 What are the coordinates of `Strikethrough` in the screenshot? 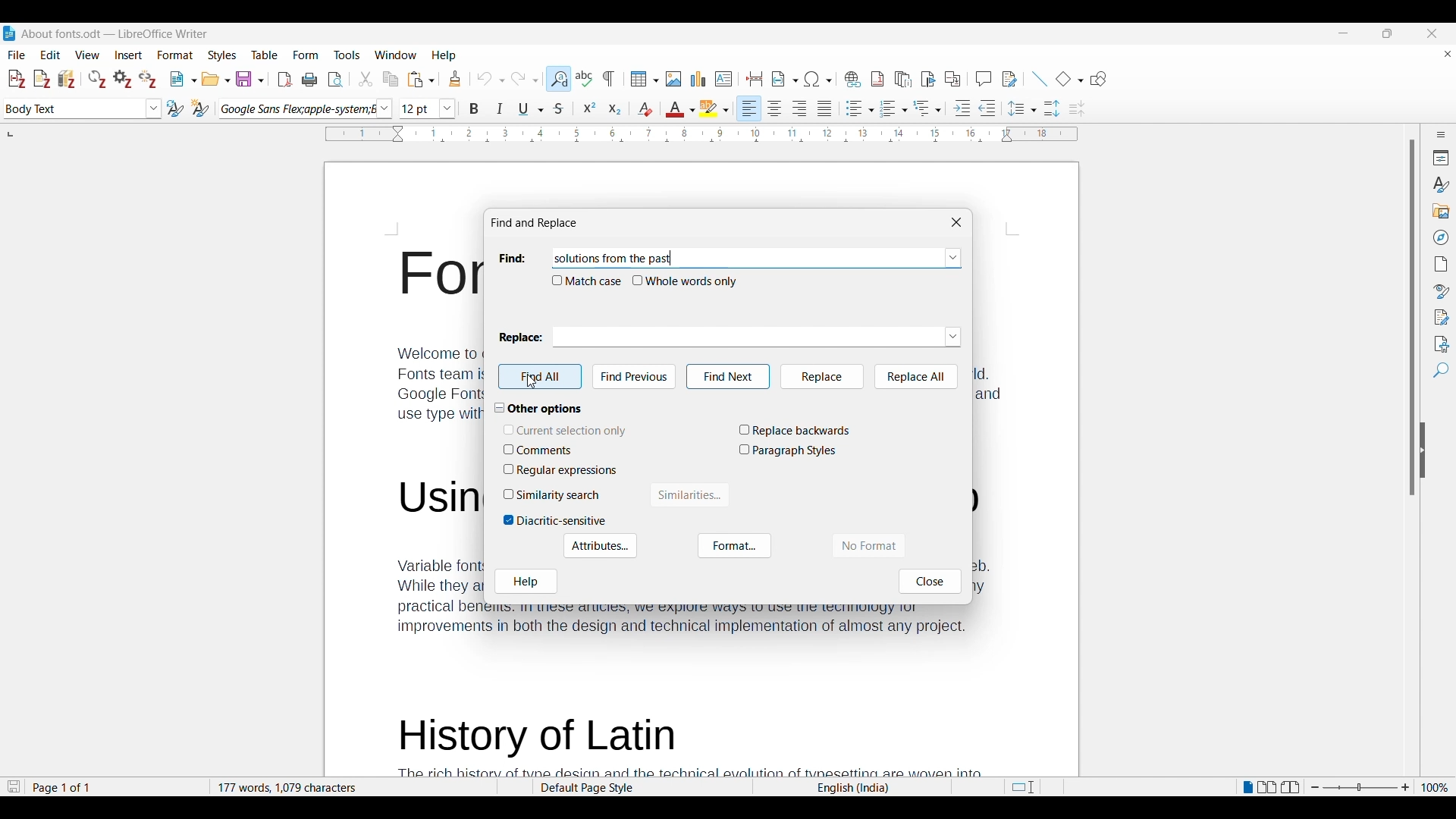 It's located at (557, 110).